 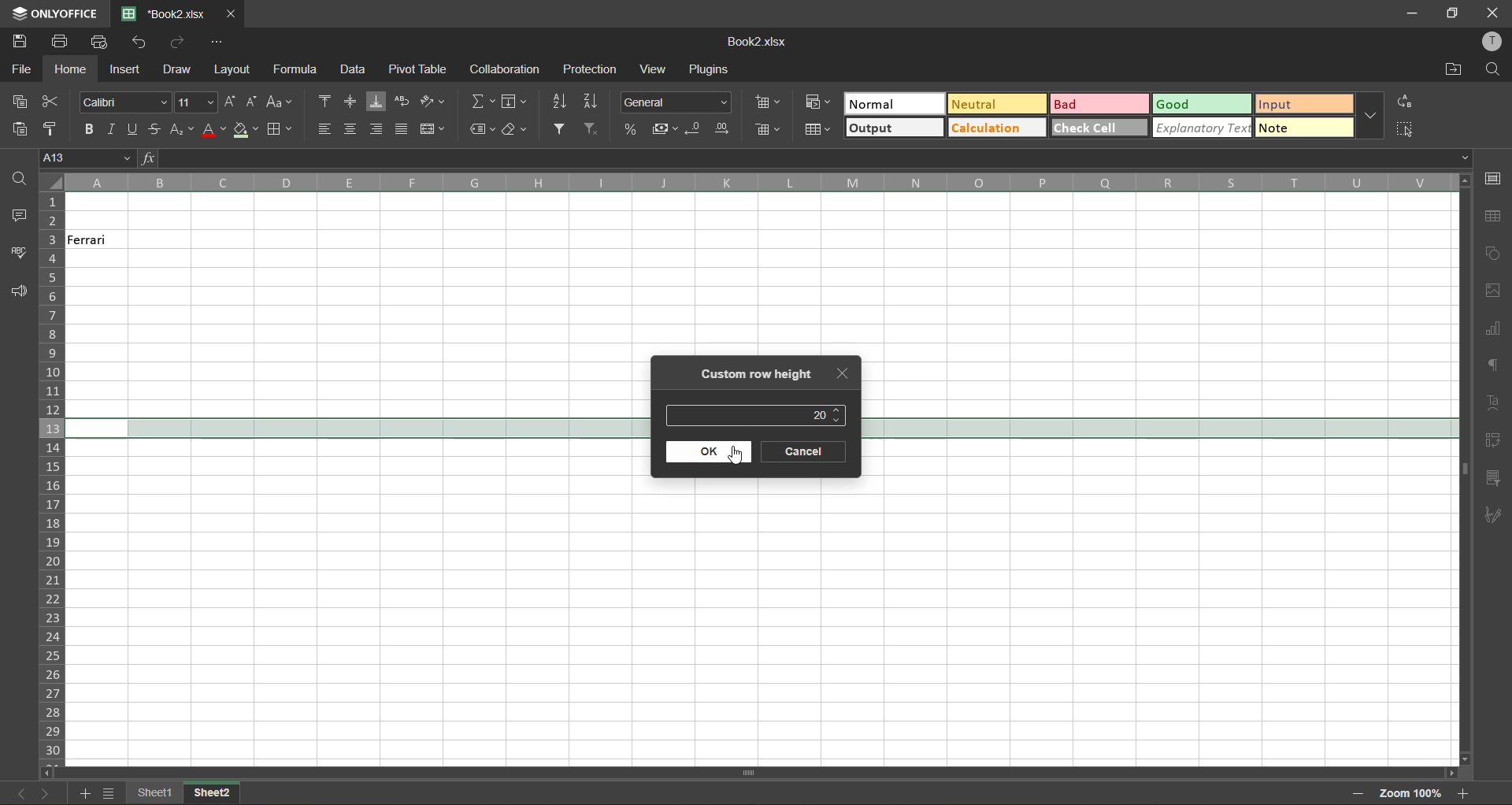 I want to click on filename, so click(x=170, y=14).